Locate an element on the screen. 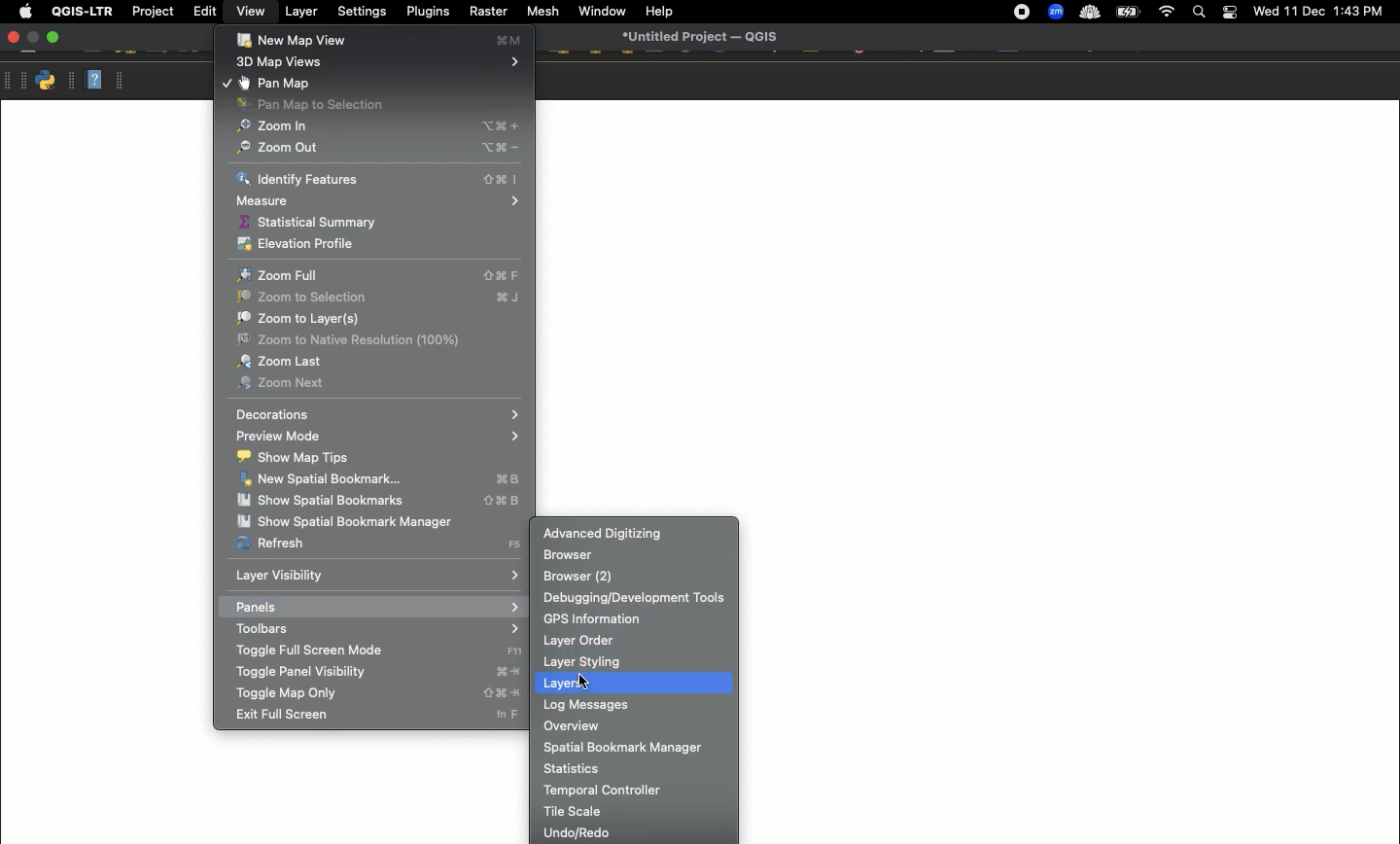 Image resolution: width=1400 pixels, height=844 pixels. Panels  is located at coordinates (377, 606).